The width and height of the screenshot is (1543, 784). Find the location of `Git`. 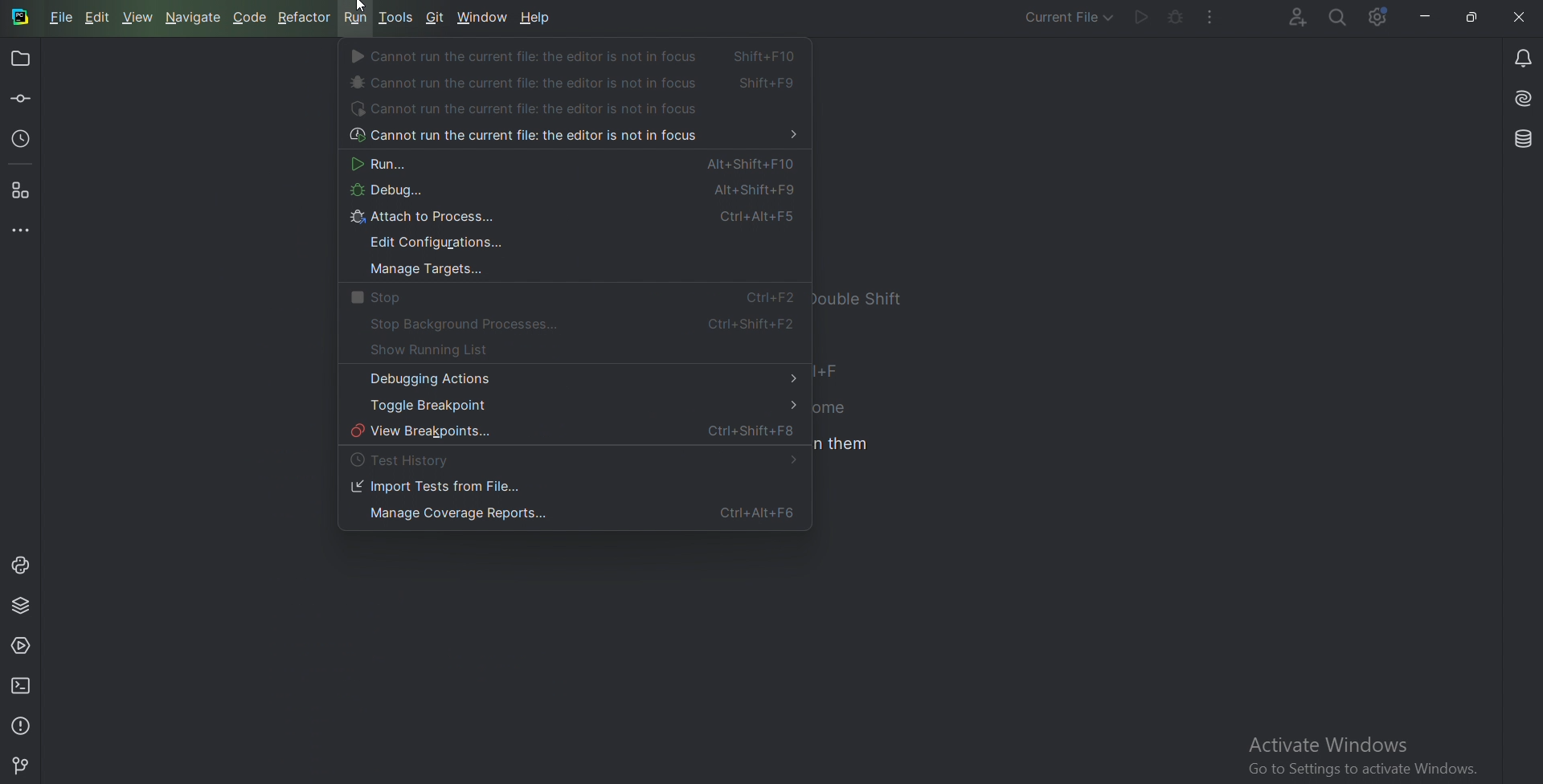

Git is located at coordinates (436, 18).